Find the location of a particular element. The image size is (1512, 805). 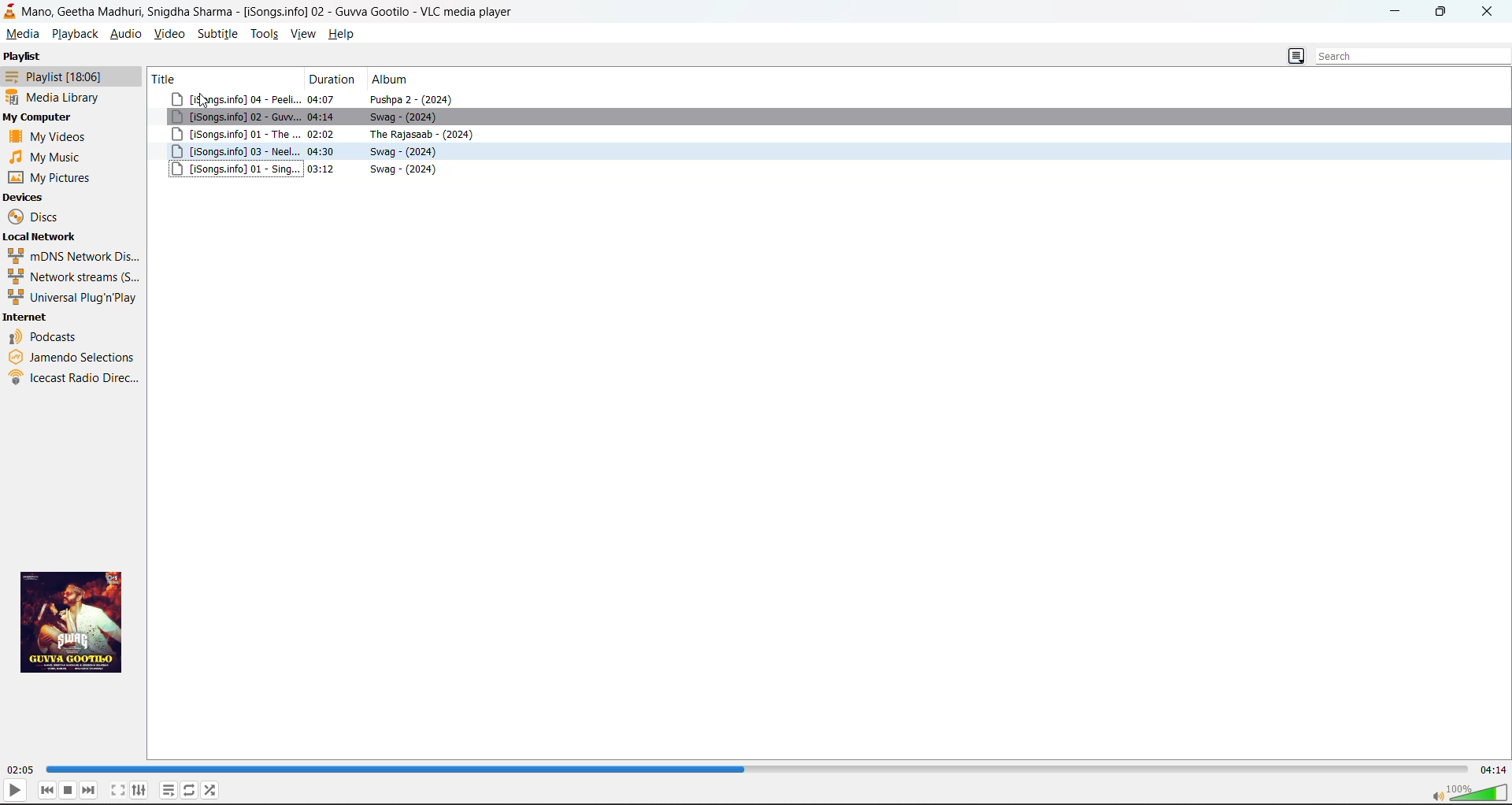

jamendo selections is located at coordinates (74, 355).